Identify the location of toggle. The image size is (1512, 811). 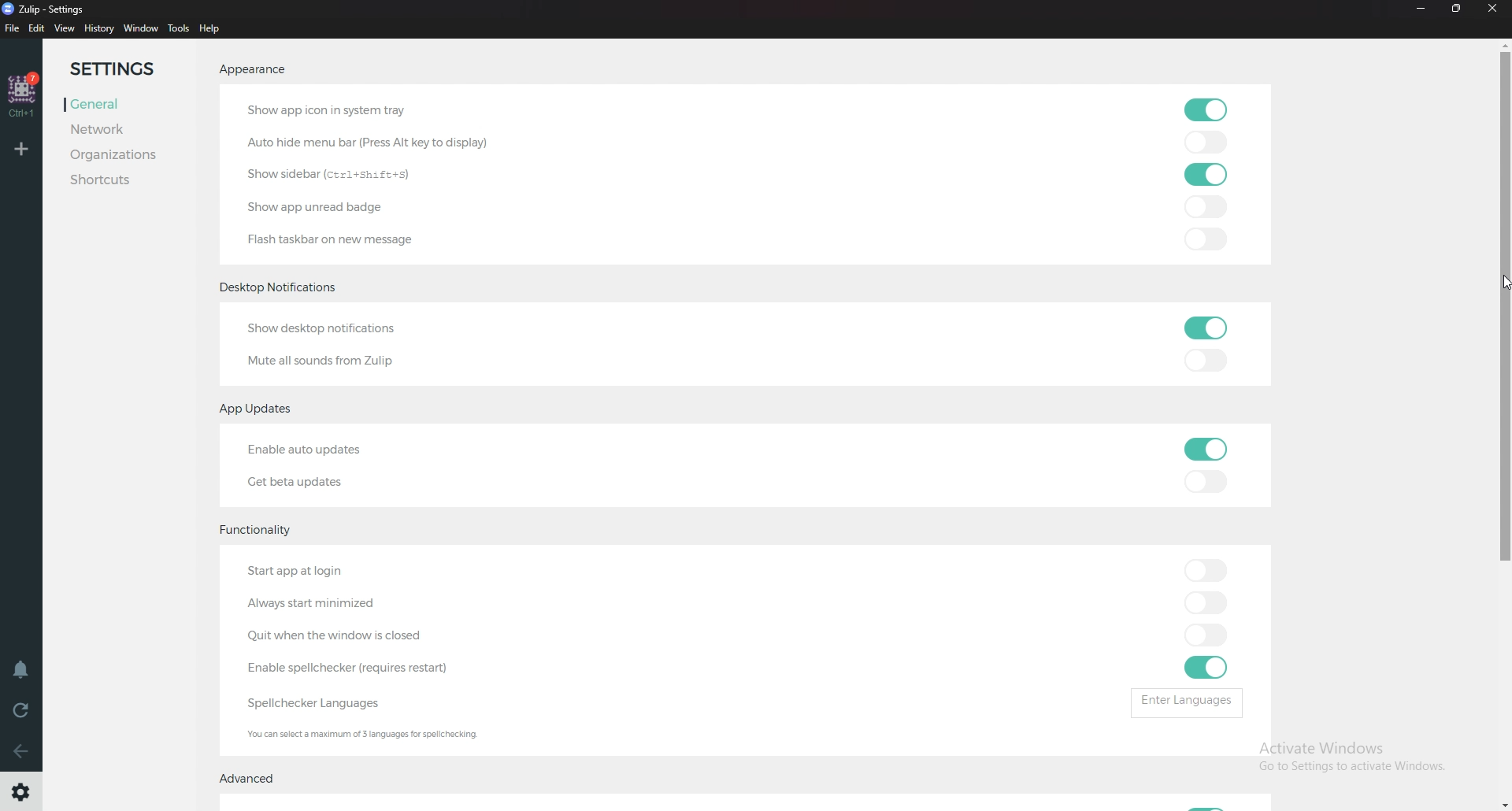
(1206, 362).